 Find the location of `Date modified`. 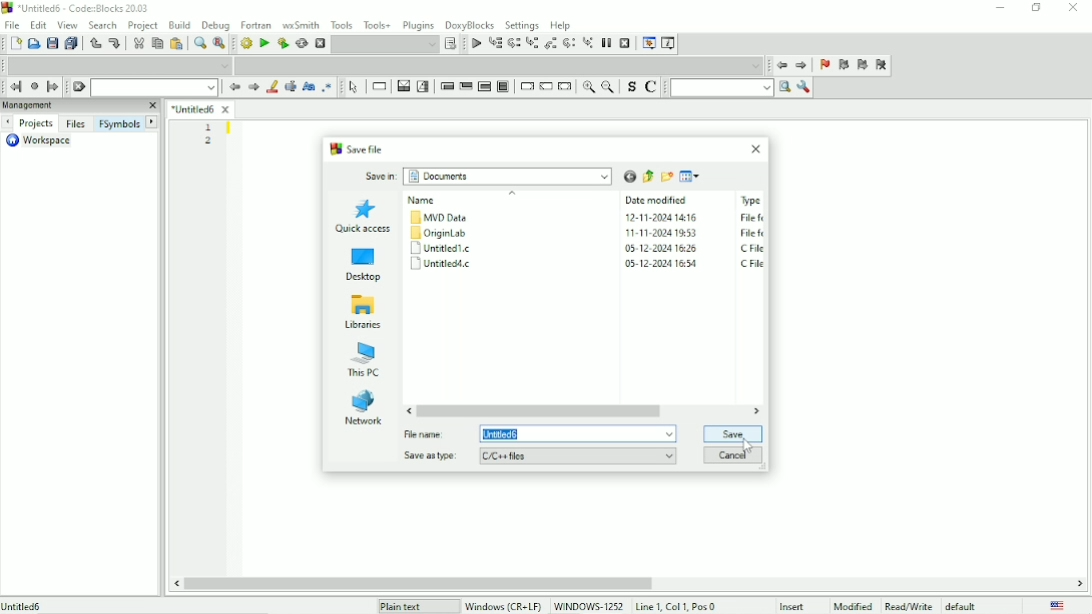

Date modified is located at coordinates (662, 232).